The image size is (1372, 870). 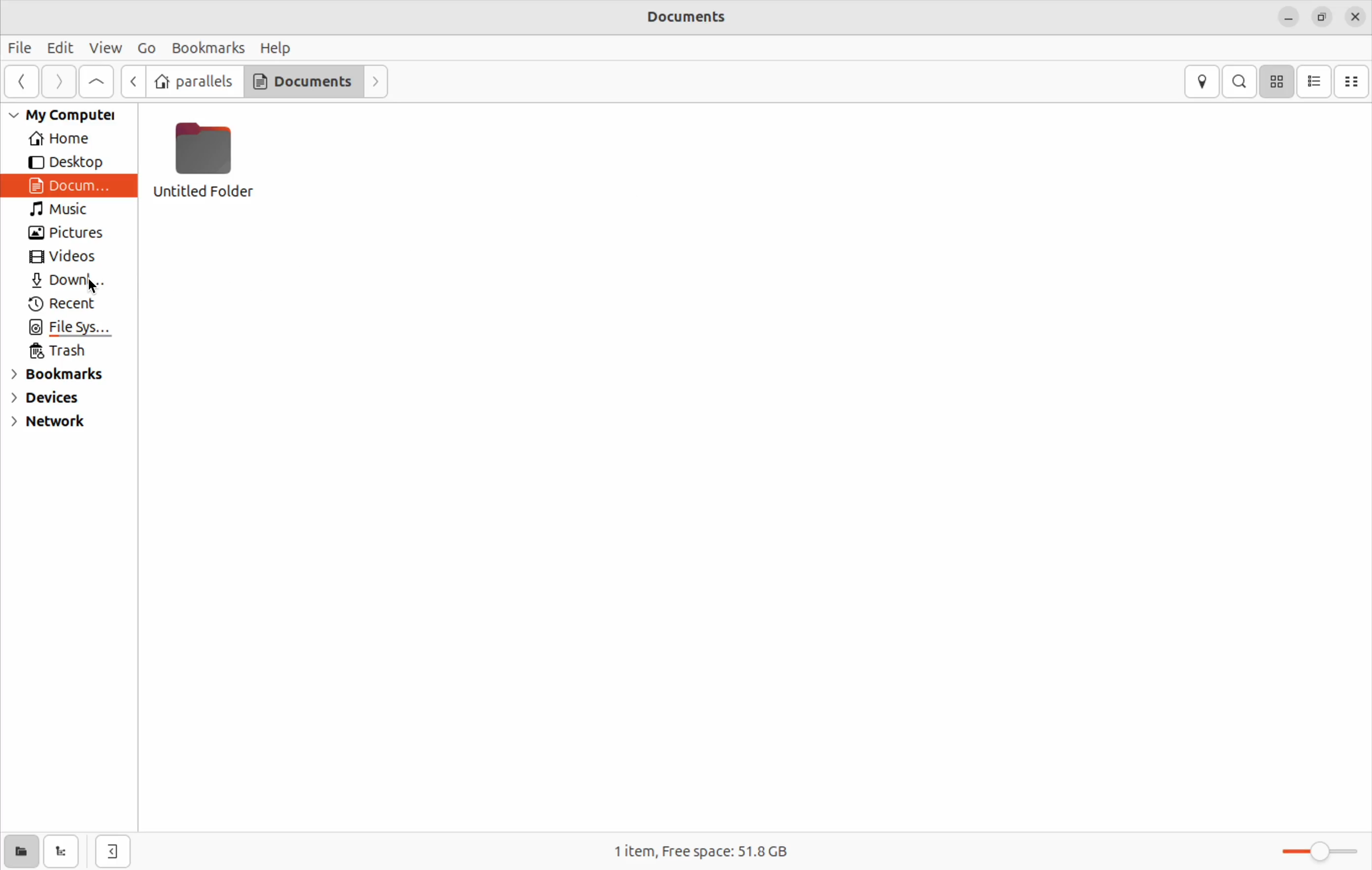 I want to click on hide side bar, so click(x=111, y=852).